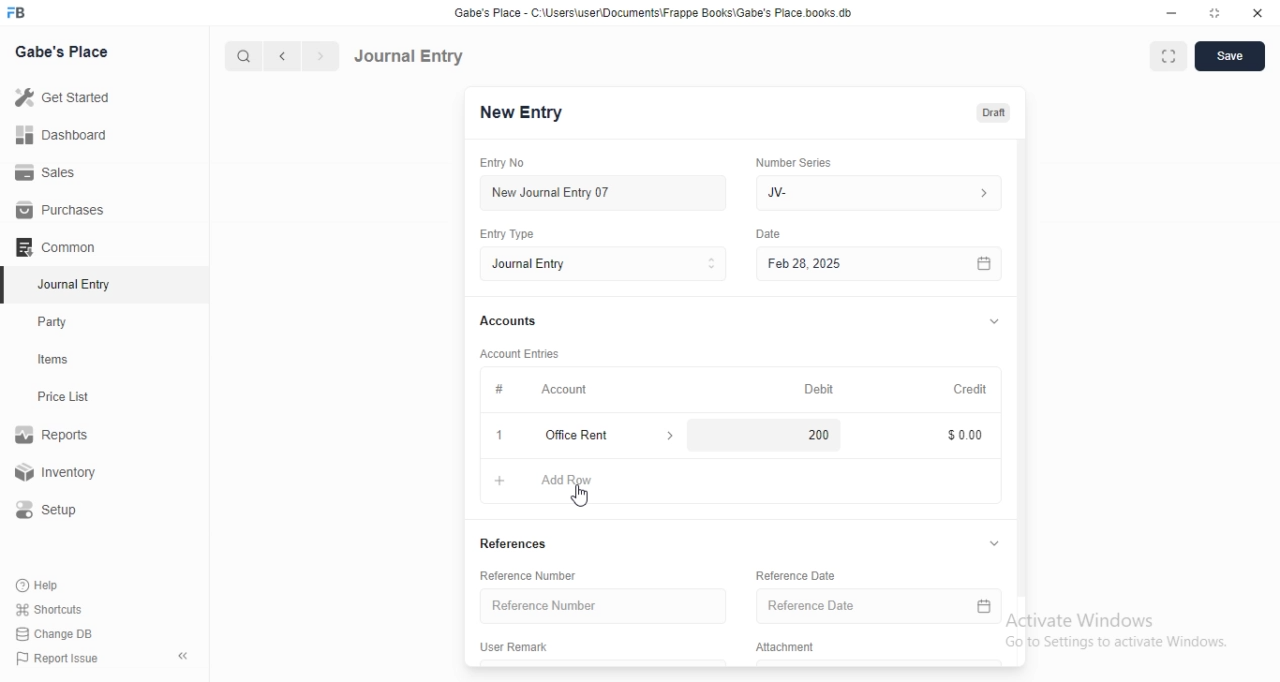  Describe the element at coordinates (54, 510) in the screenshot. I see `Setup` at that location.